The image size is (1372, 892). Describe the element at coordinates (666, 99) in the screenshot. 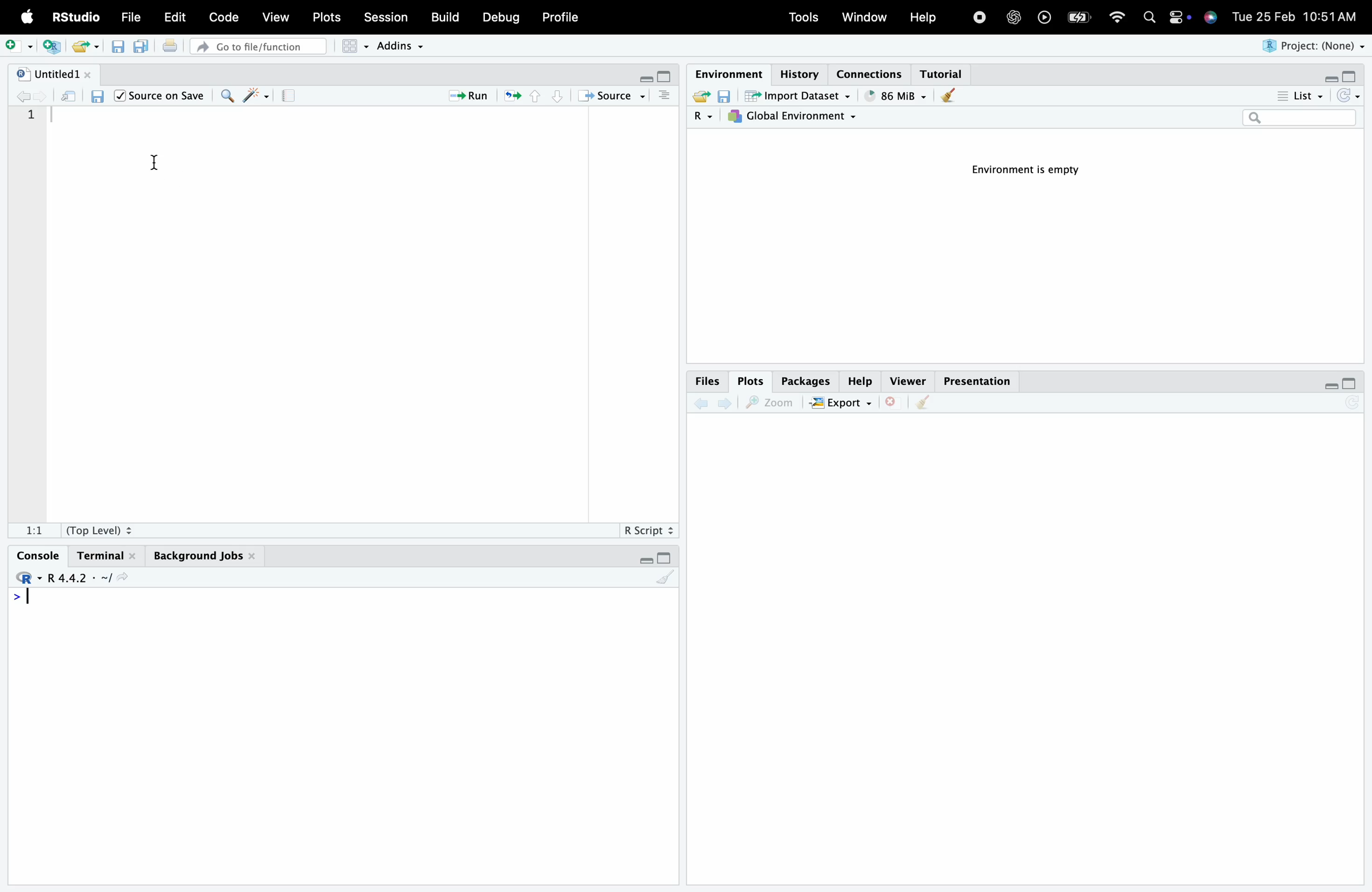

I see `more` at that location.